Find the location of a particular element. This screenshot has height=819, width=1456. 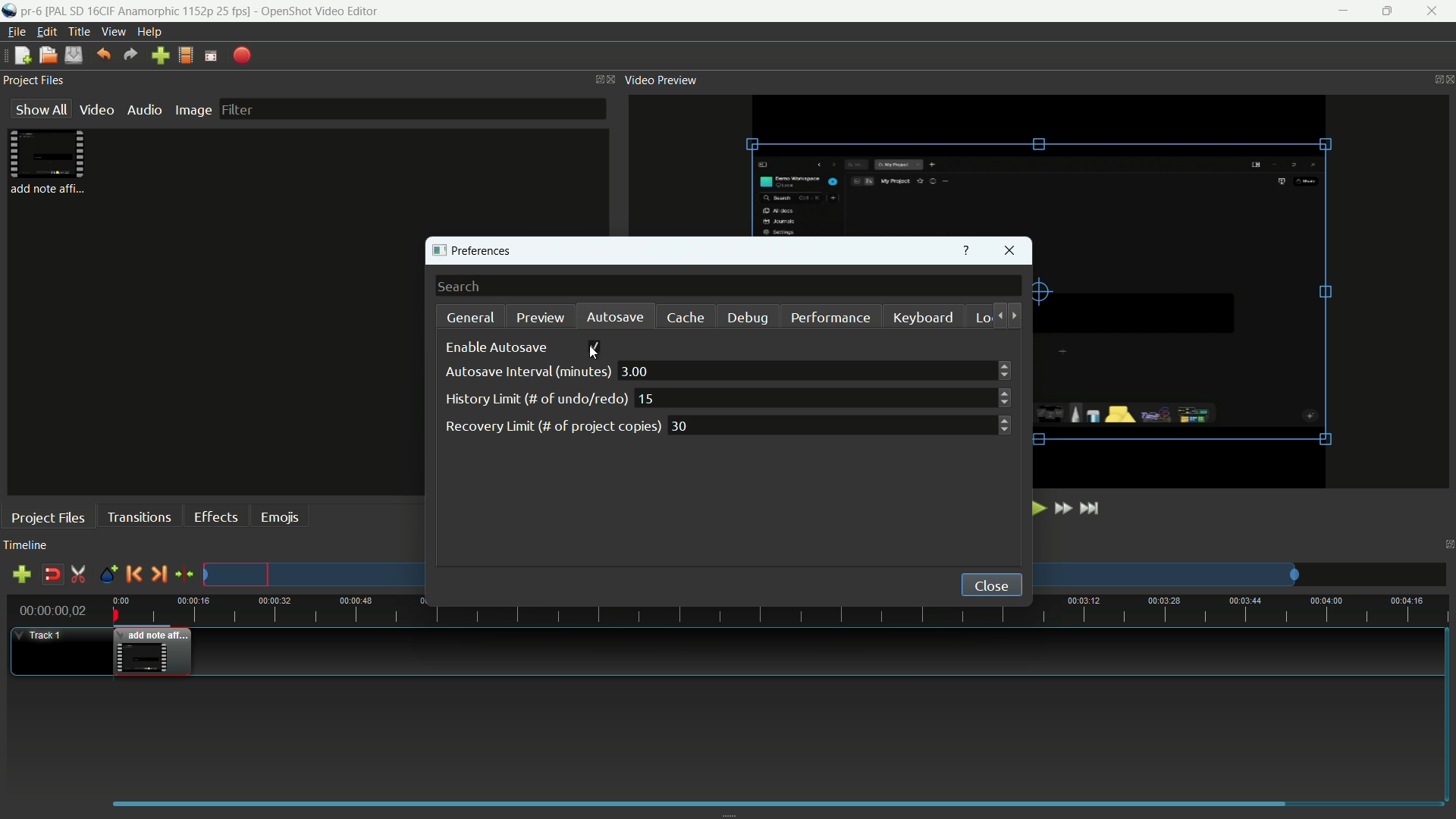

15 is located at coordinates (824, 397).